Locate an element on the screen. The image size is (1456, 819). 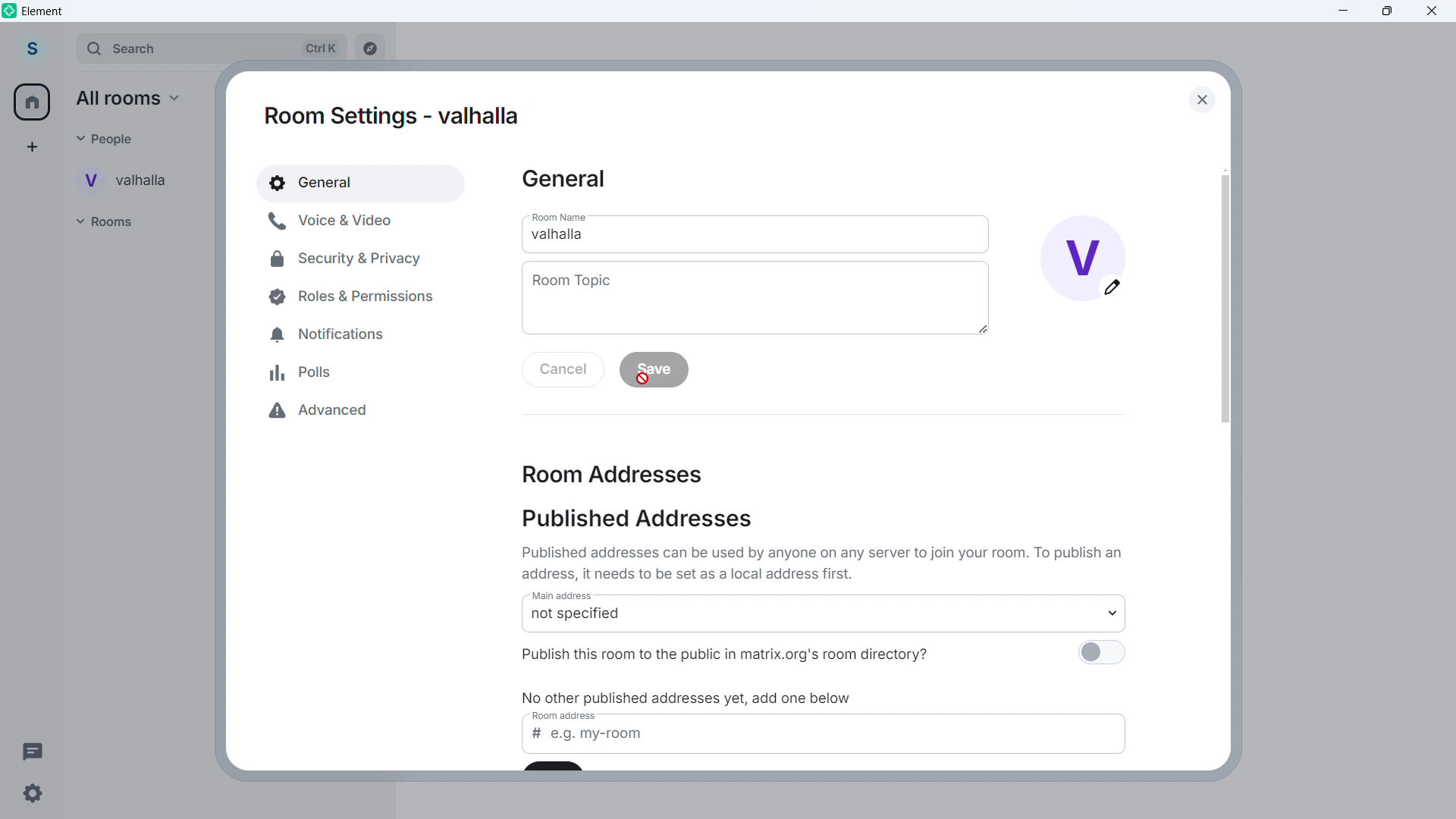
Threads  is located at coordinates (32, 750).